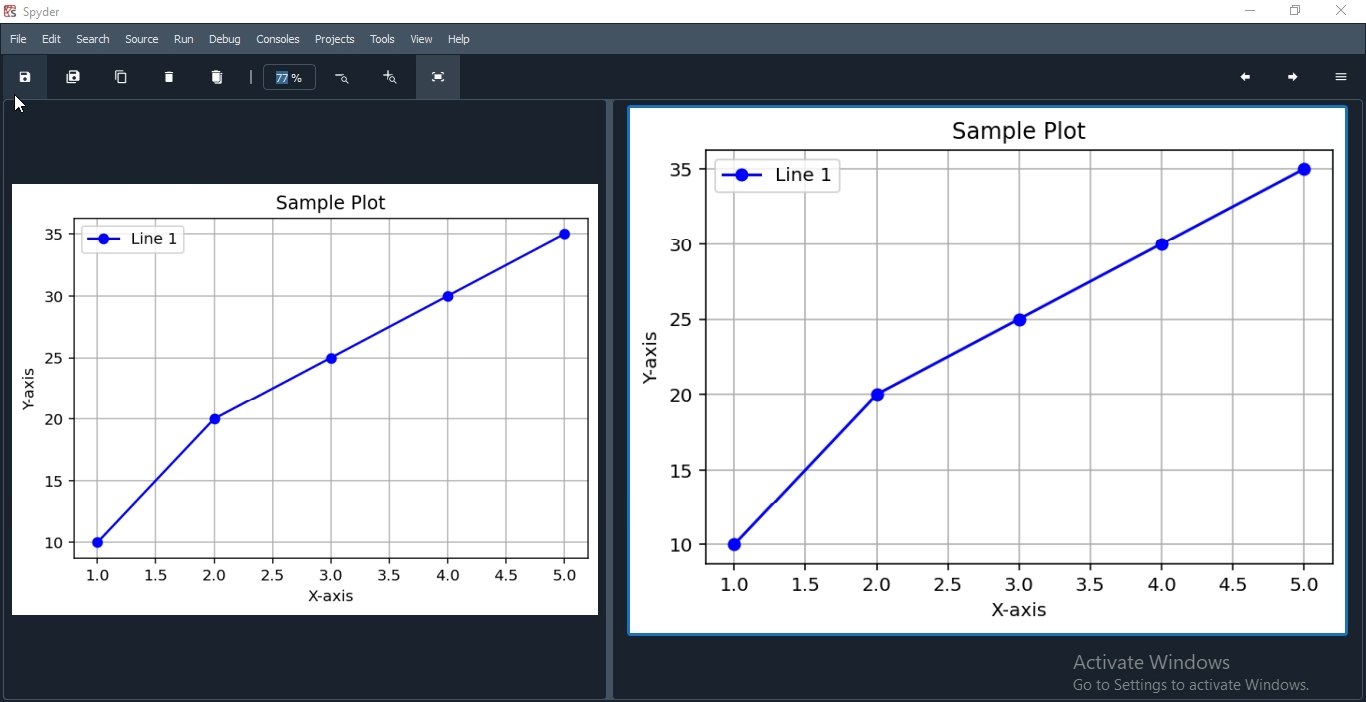  I want to click on full screen, so click(440, 78).